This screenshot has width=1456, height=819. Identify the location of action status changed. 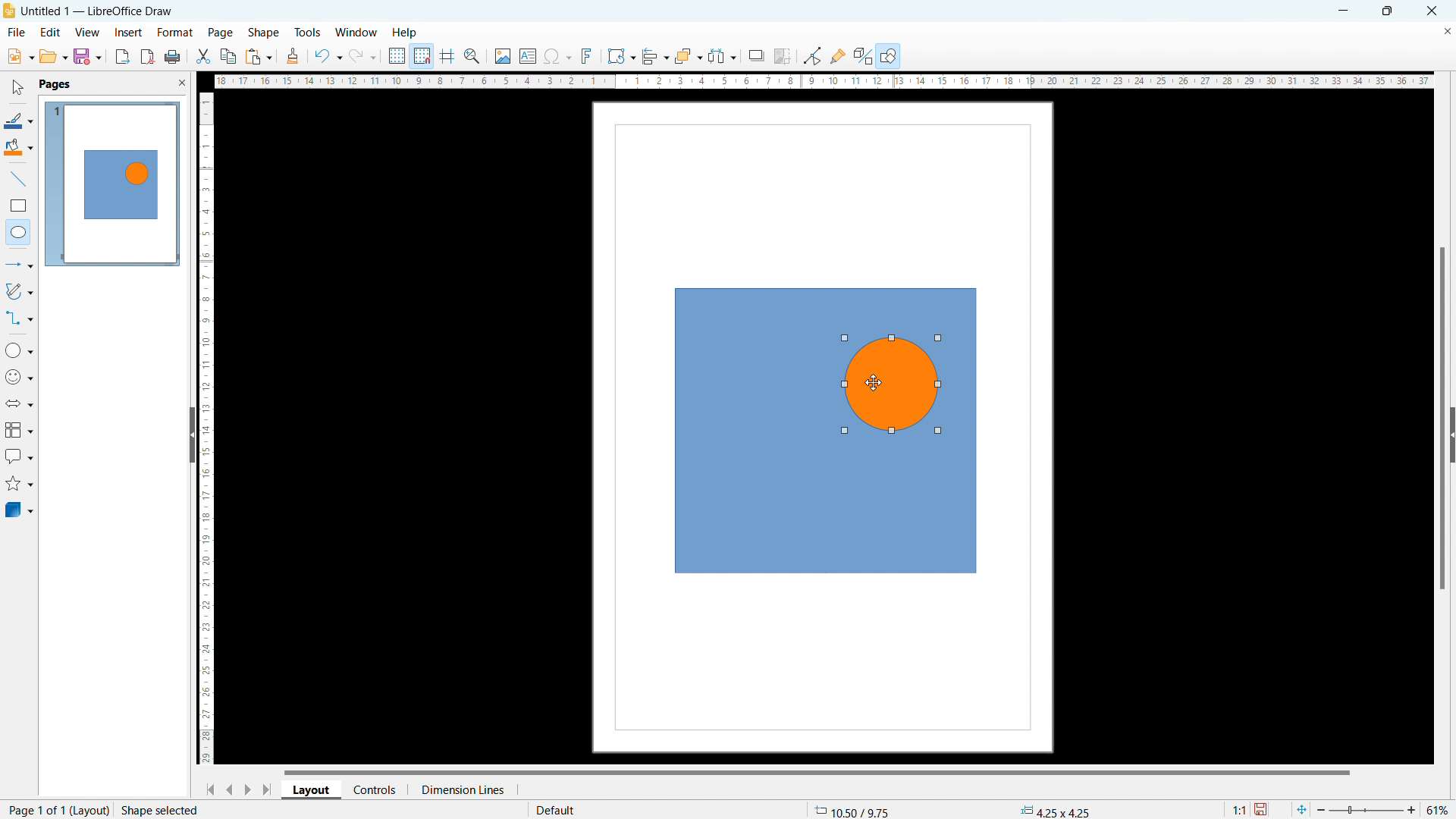
(208, 810).